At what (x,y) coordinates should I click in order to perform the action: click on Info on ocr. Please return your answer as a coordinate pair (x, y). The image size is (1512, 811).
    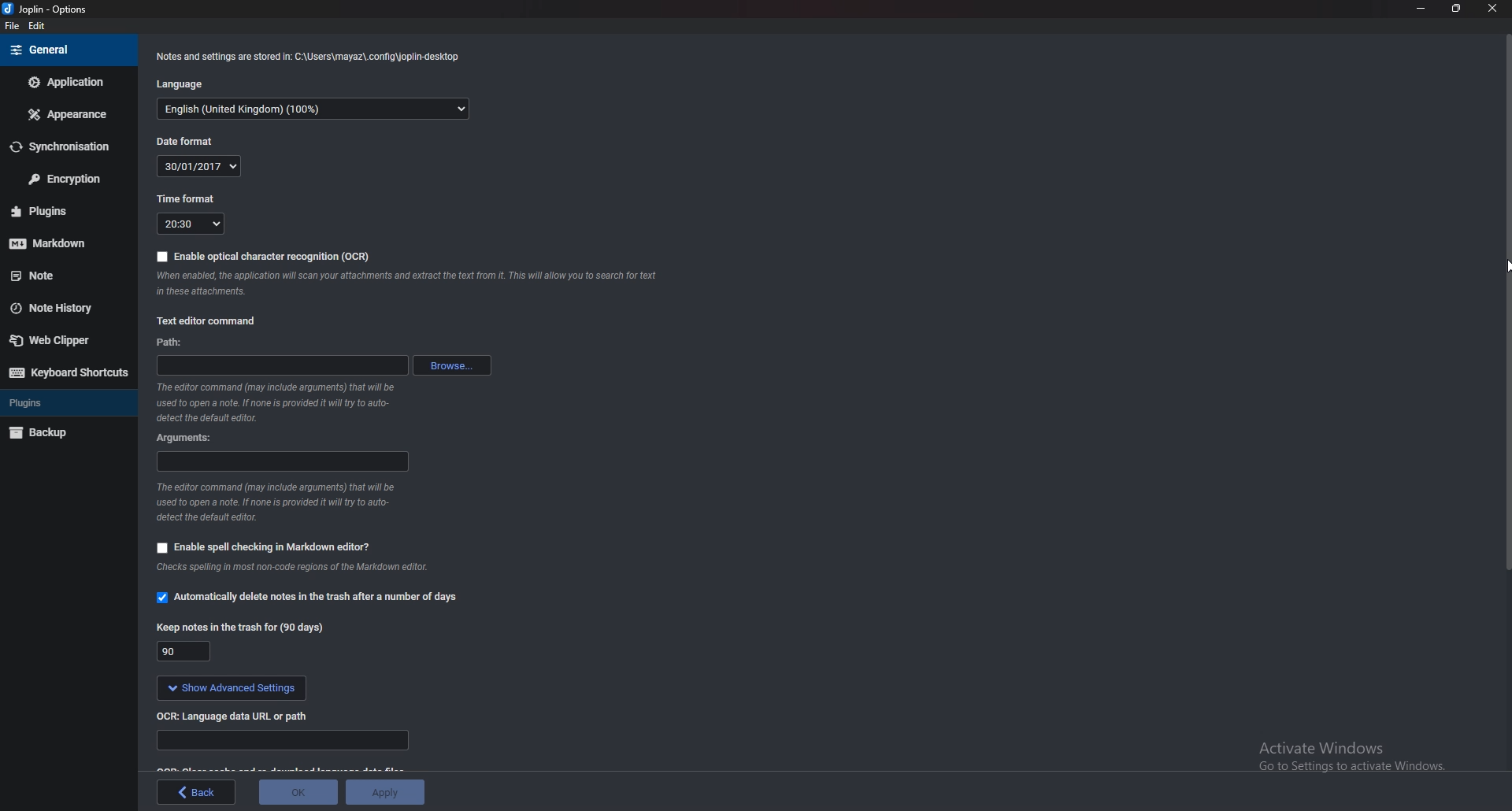
    Looking at the image, I should click on (410, 285).